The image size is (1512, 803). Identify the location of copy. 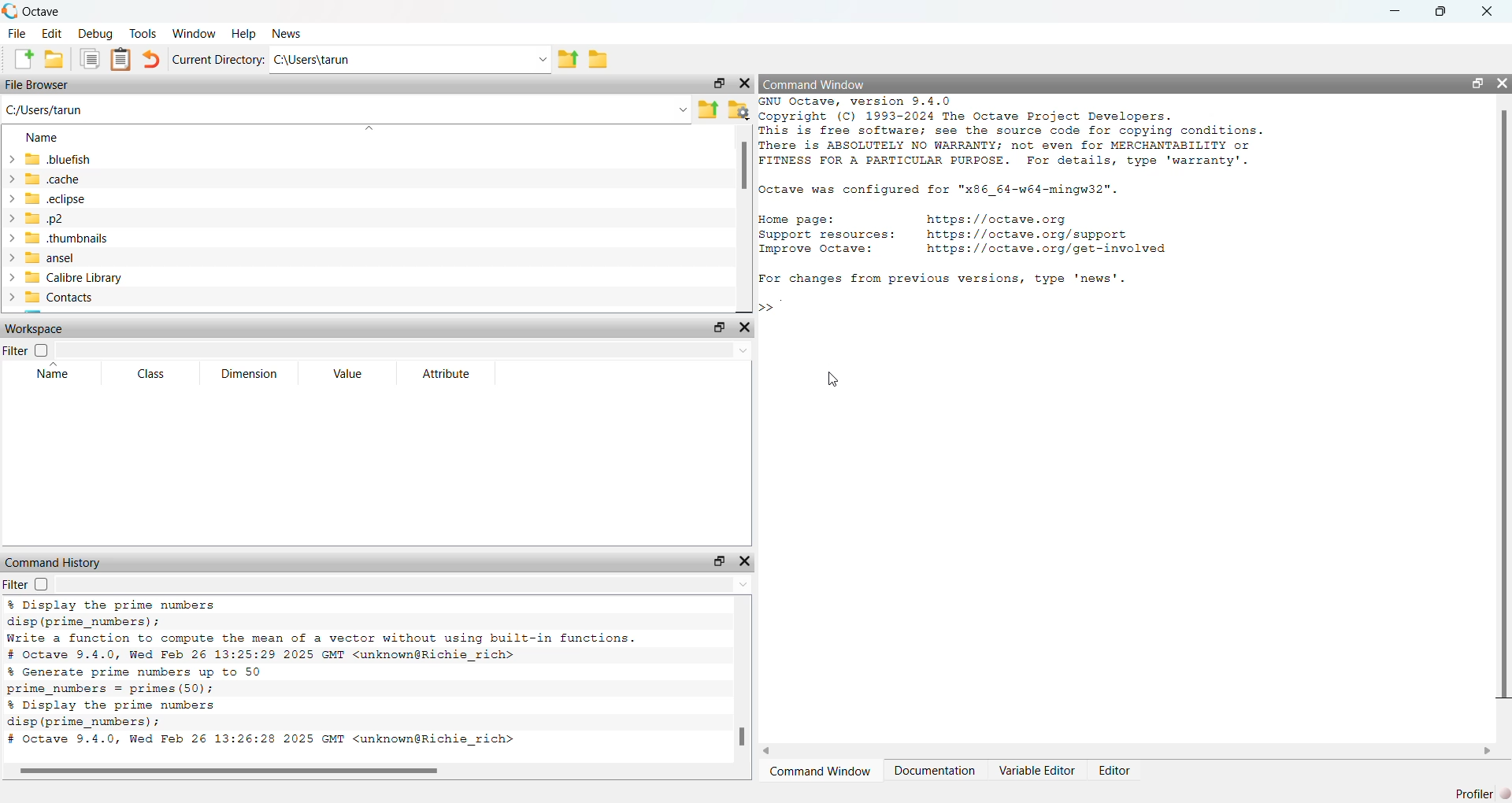
(90, 58).